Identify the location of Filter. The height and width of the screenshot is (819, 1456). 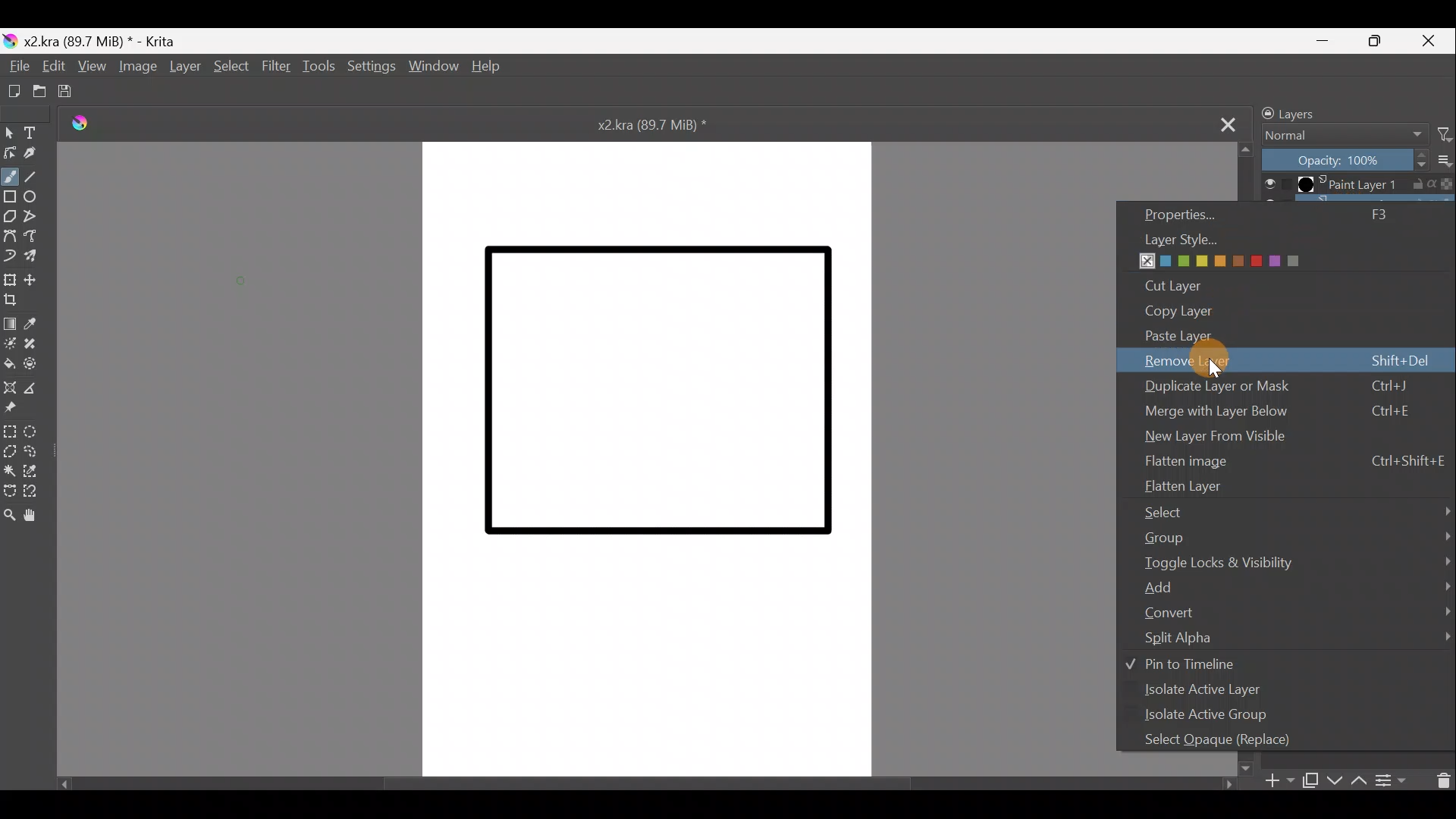
(1443, 135).